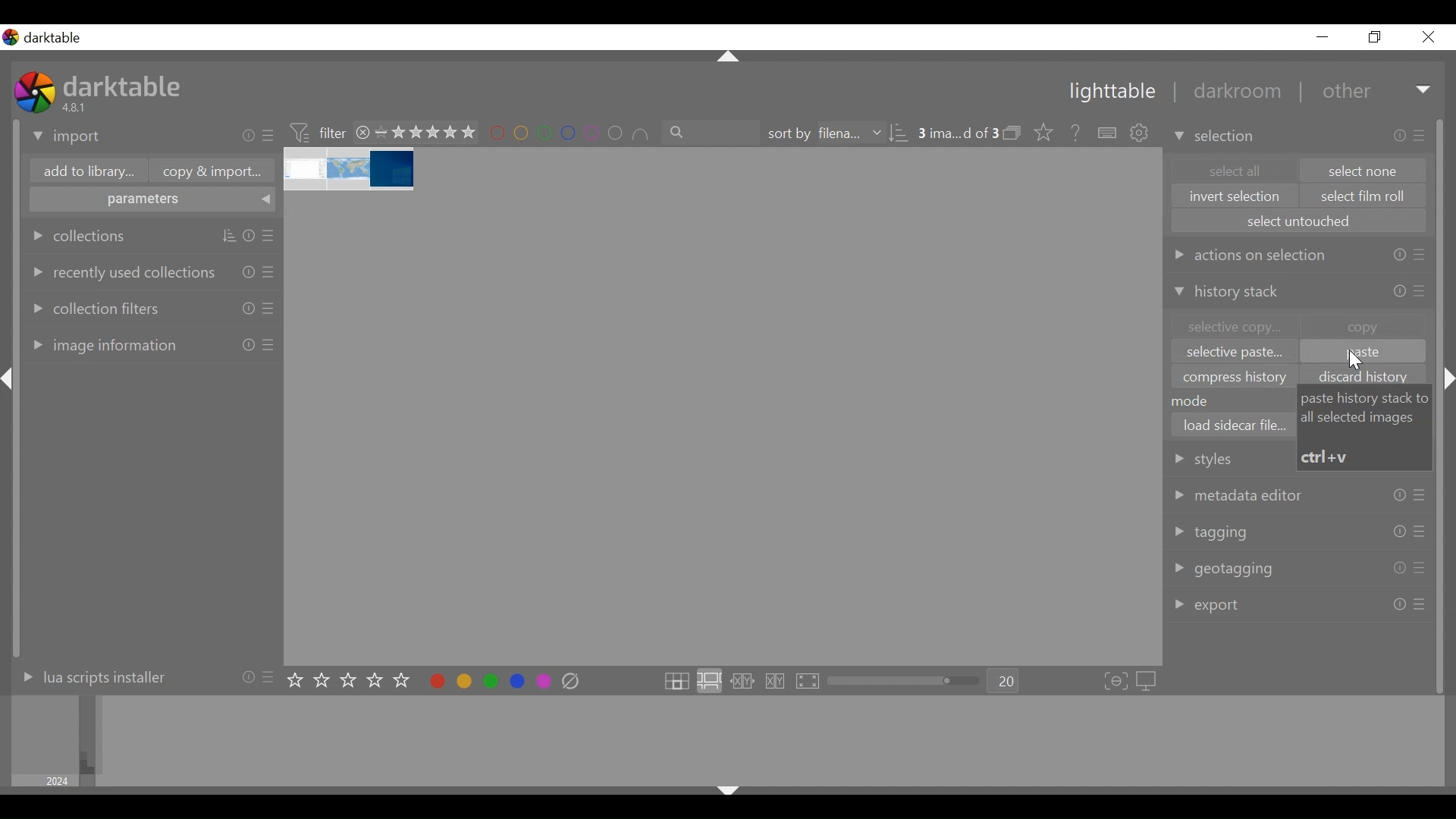  Describe the element at coordinates (1141, 134) in the screenshot. I see `show global preferences` at that location.